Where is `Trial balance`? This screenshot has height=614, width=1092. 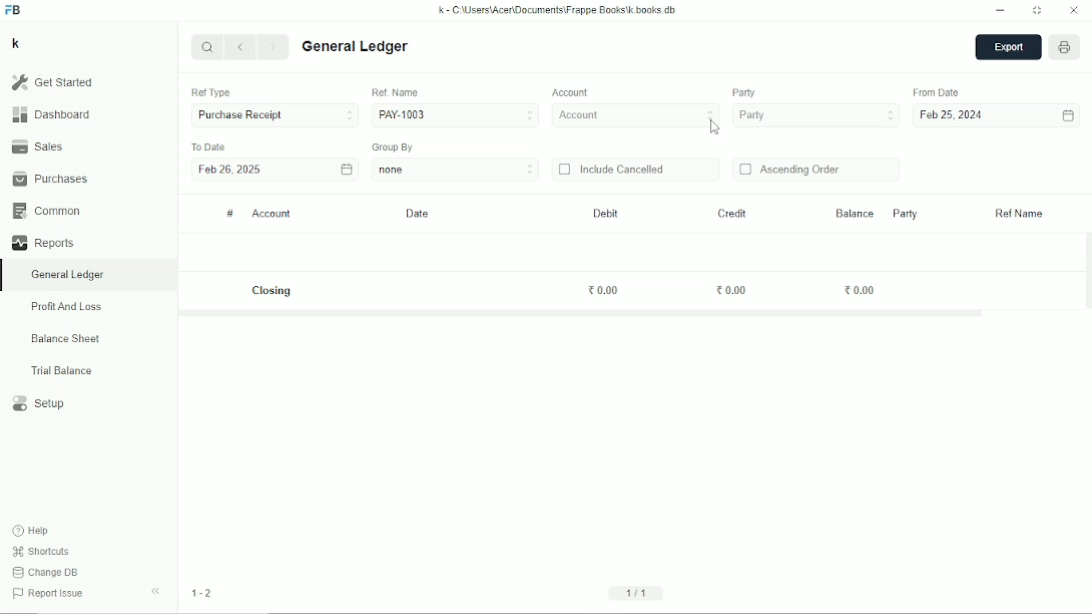 Trial balance is located at coordinates (62, 371).